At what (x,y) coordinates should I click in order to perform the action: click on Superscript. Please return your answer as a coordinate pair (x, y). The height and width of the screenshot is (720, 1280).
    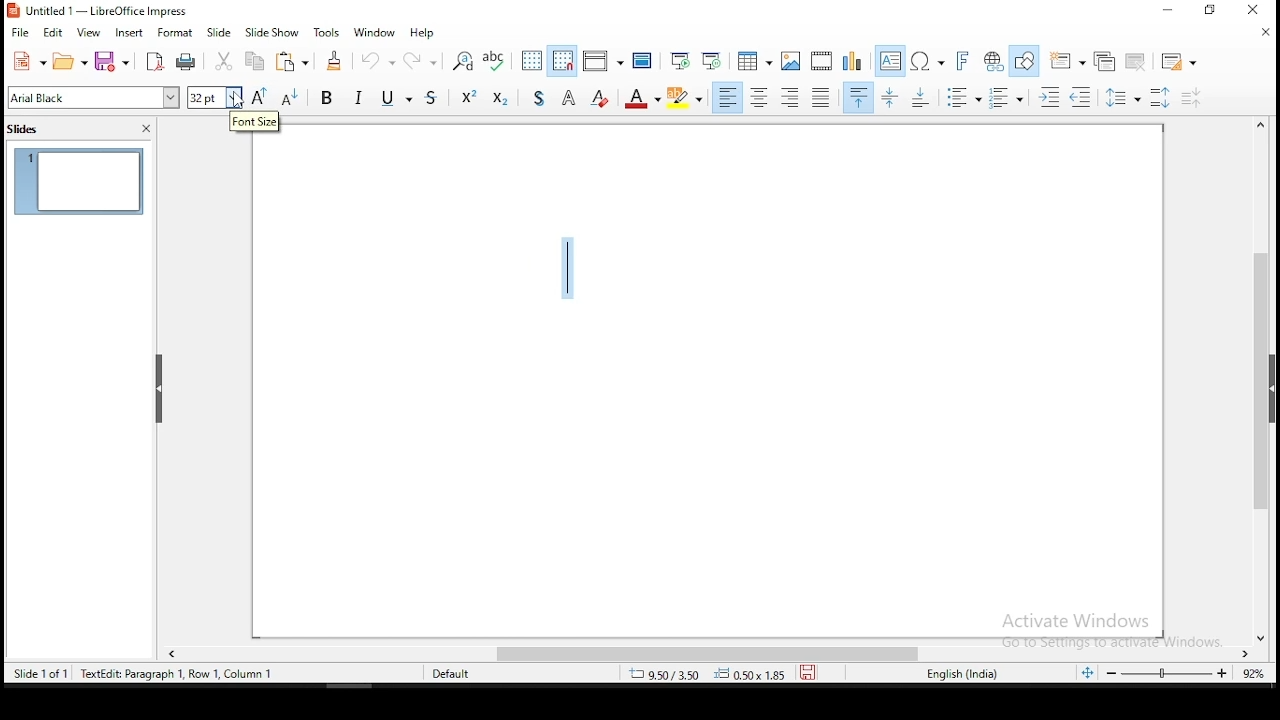
    Looking at the image, I should click on (468, 95).